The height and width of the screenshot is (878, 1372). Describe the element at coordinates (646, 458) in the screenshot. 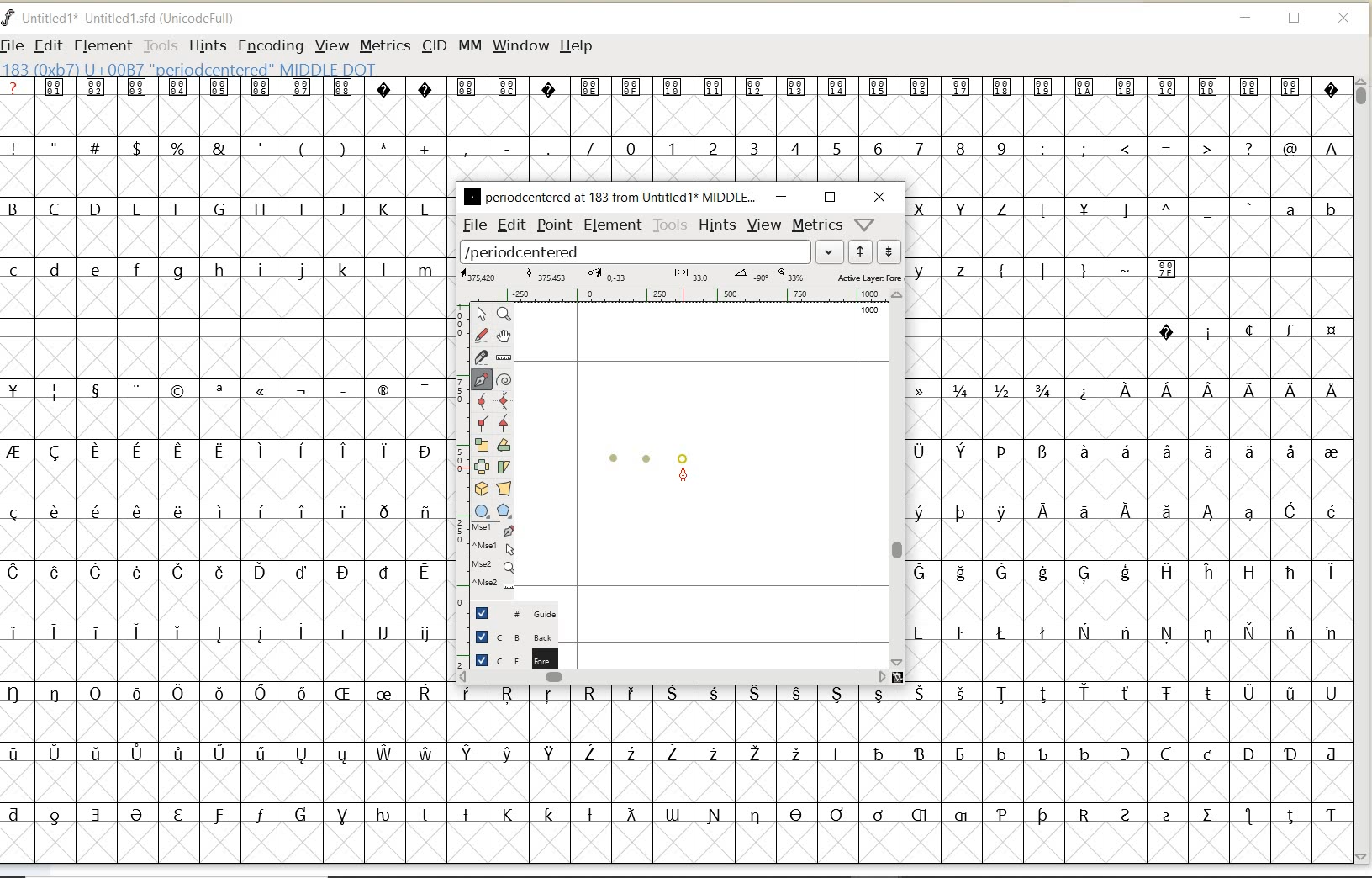

I see `dot` at that location.